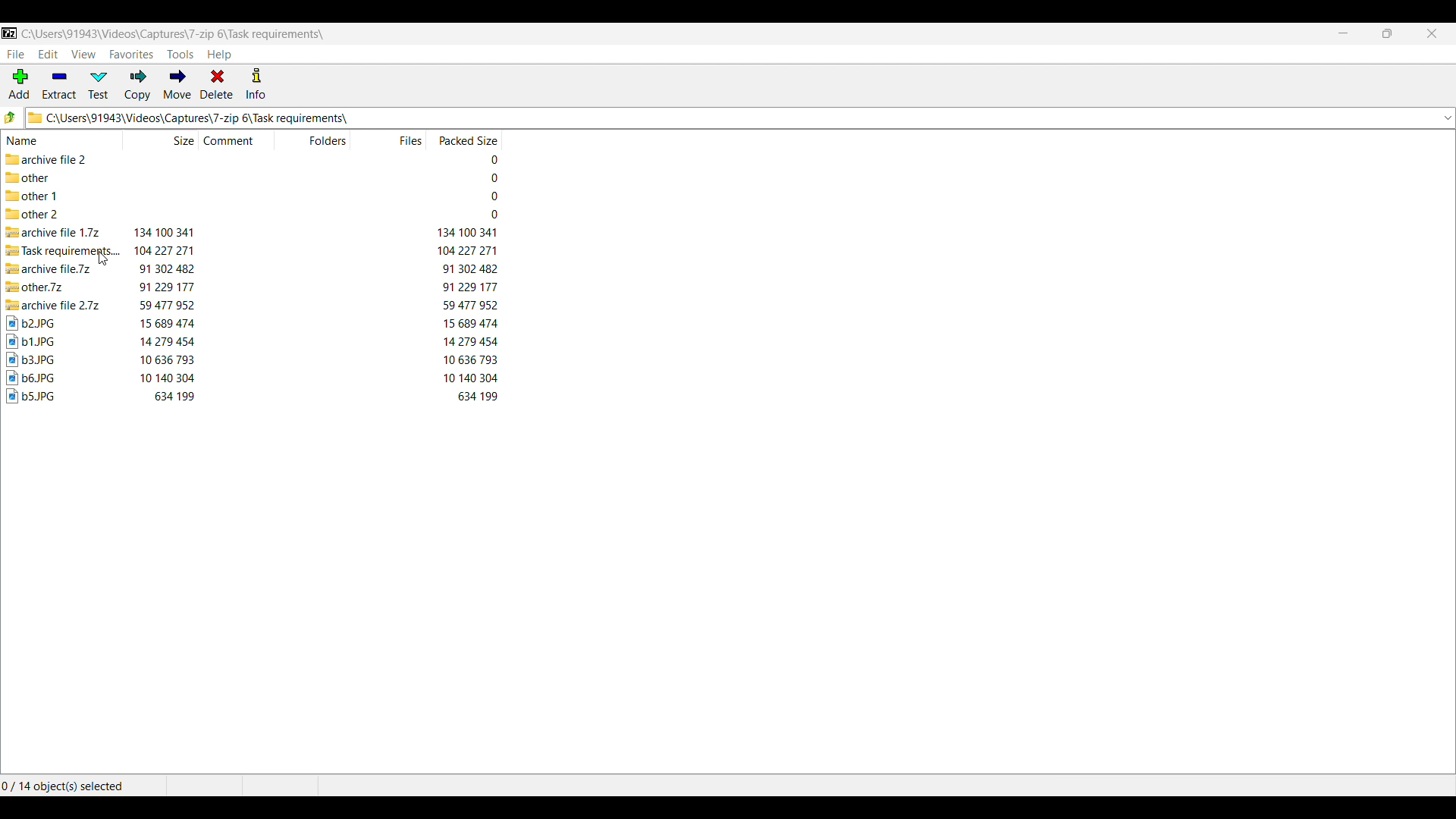  Describe the element at coordinates (463, 249) in the screenshot. I see `packed size` at that location.